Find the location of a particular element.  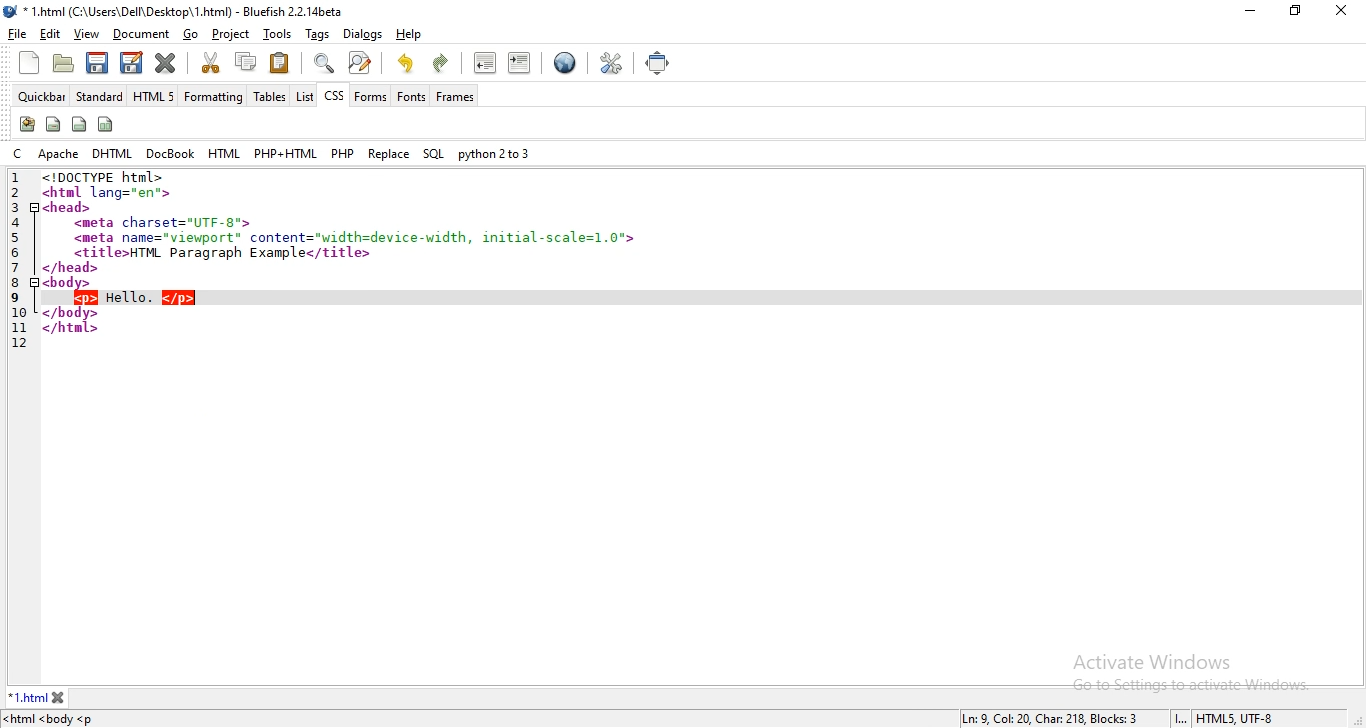

restore windows is located at coordinates (1293, 11).